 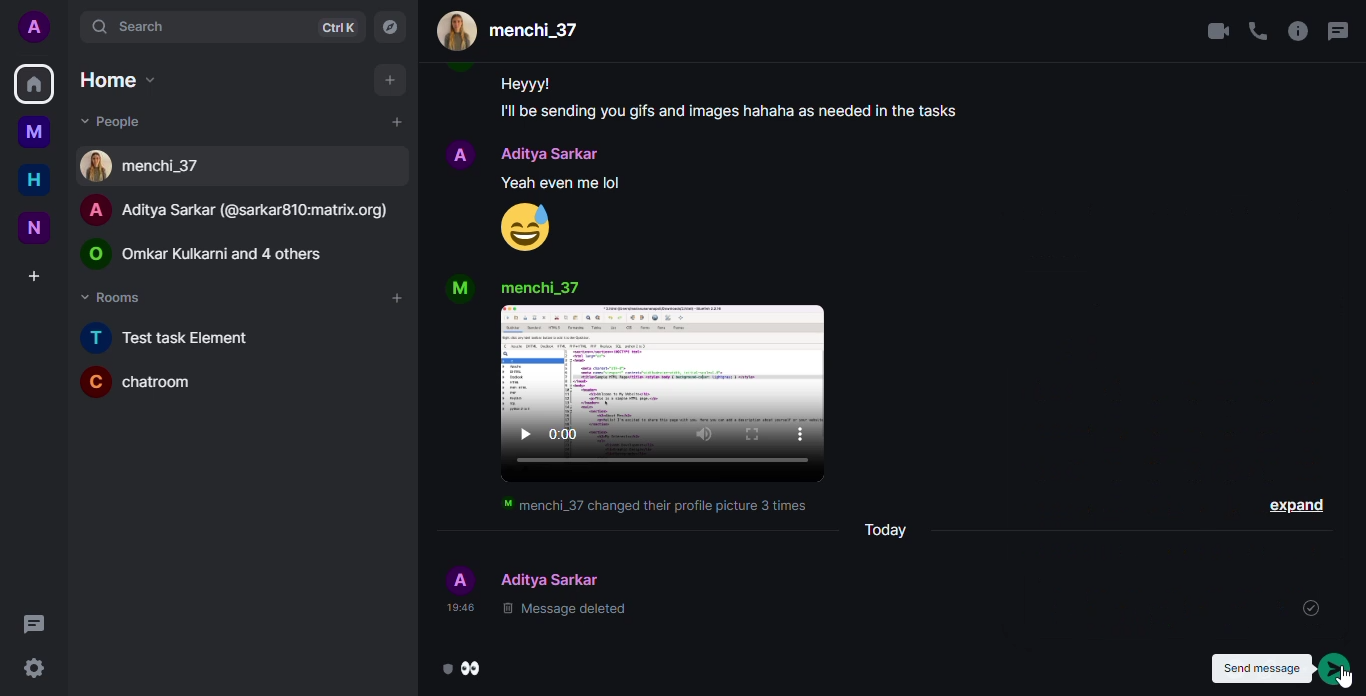 What do you see at coordinates (389, 27) in the screenshot?
I see `navigator` at bounding box center [389, 27].